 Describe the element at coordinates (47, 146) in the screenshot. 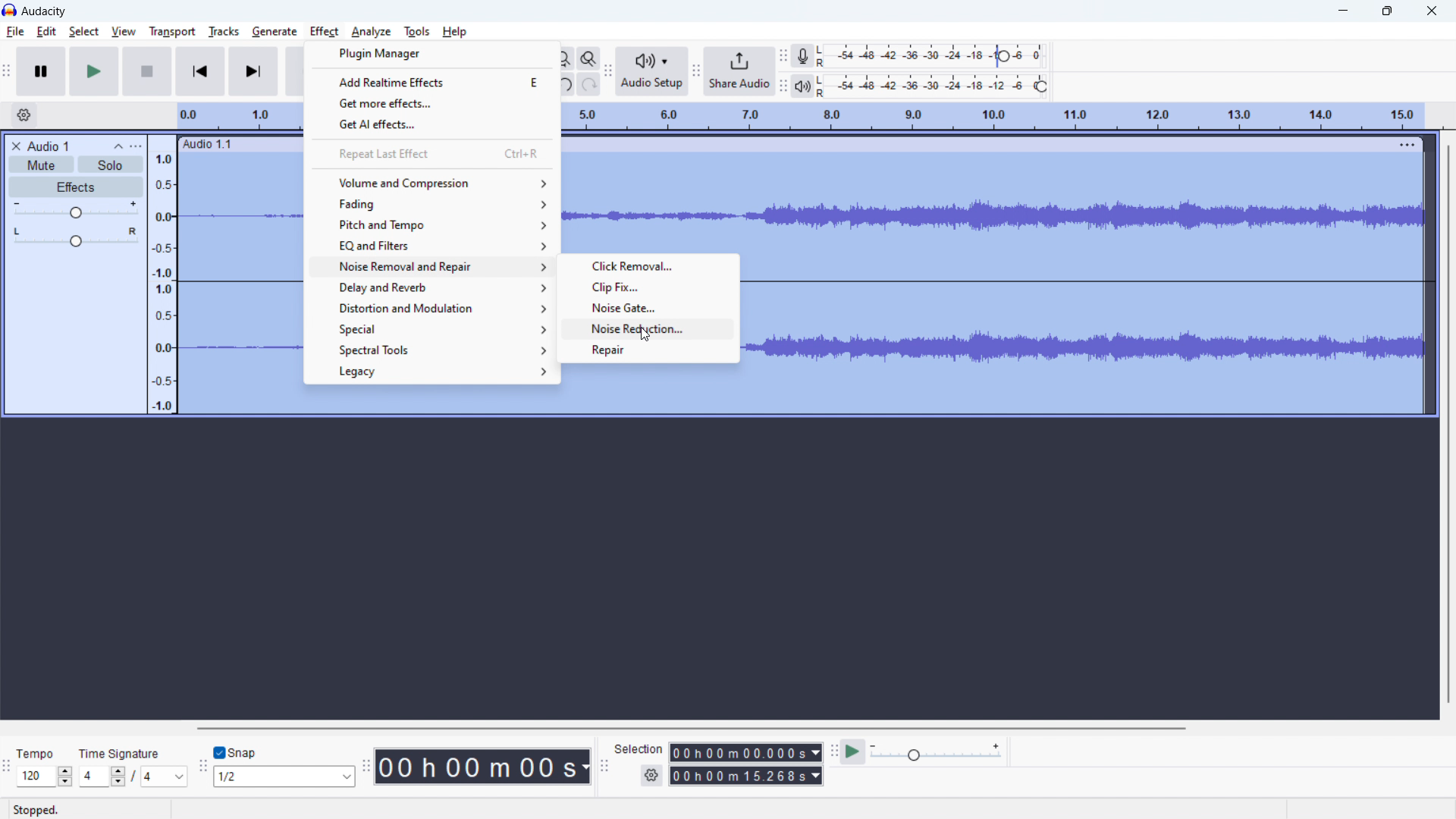

I see `title` at that location.